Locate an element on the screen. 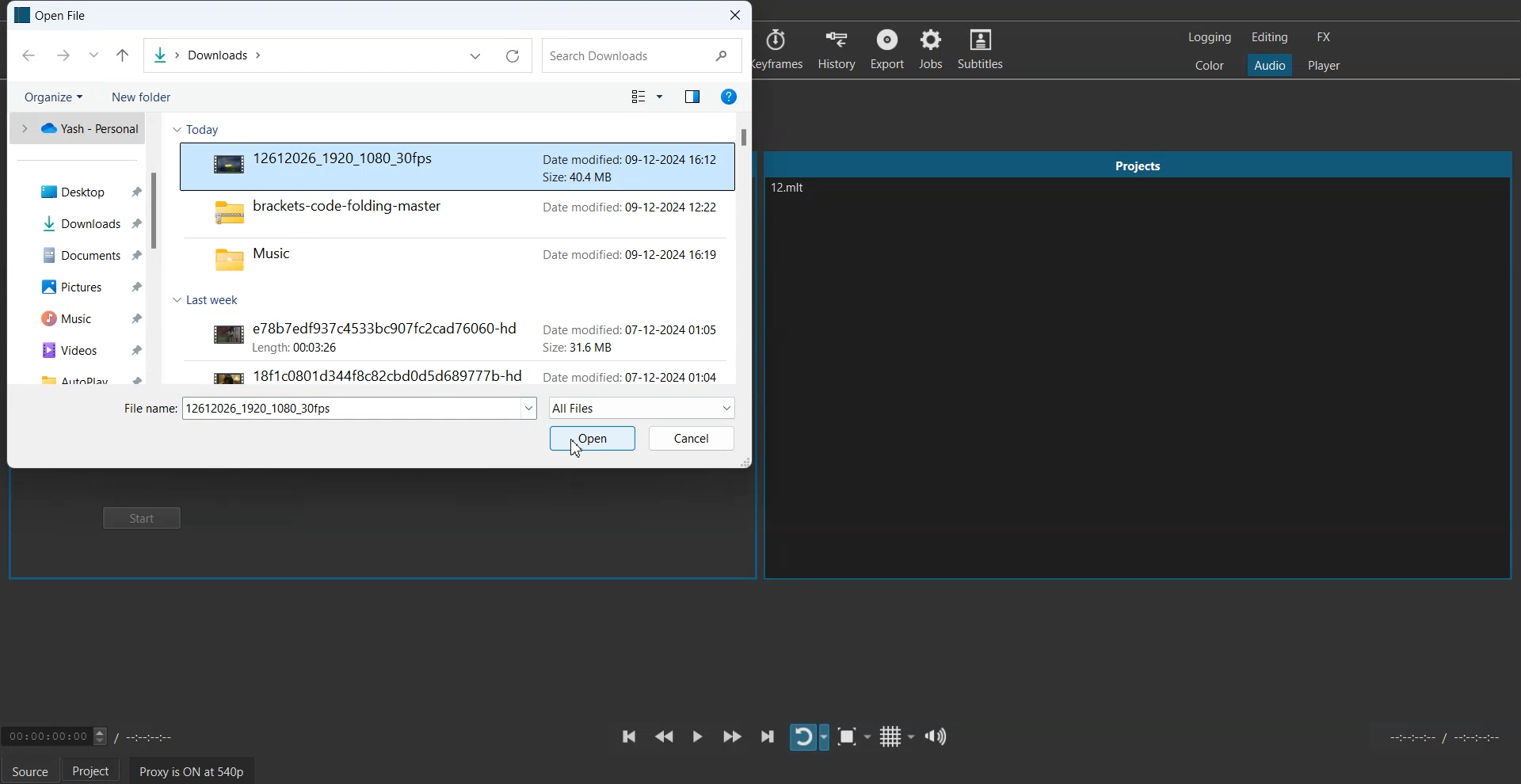 The image size is (1521, 784). Organize is located at coordinates (53, 97).